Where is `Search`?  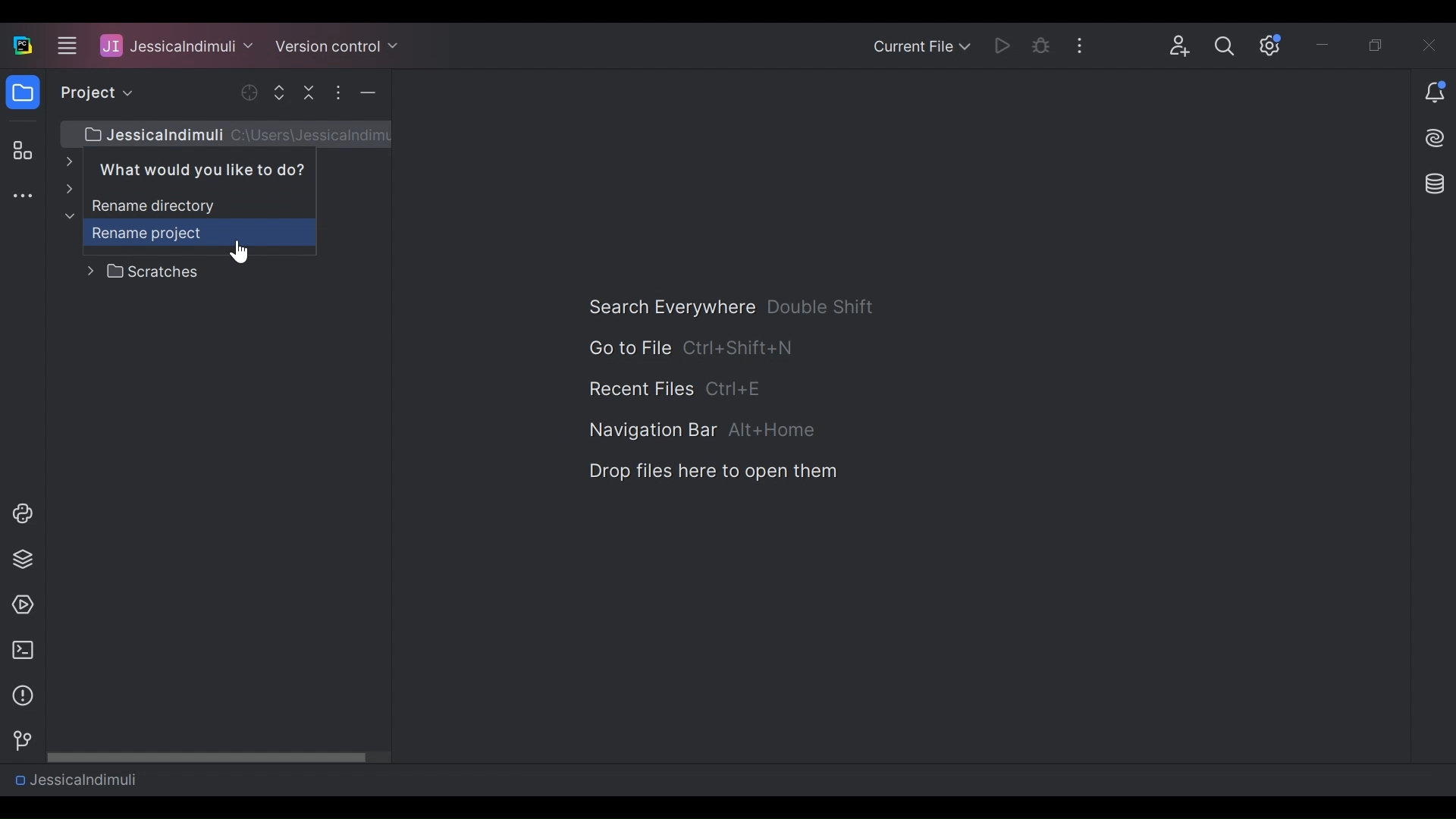 Search is located at coordinates (1225, 46).